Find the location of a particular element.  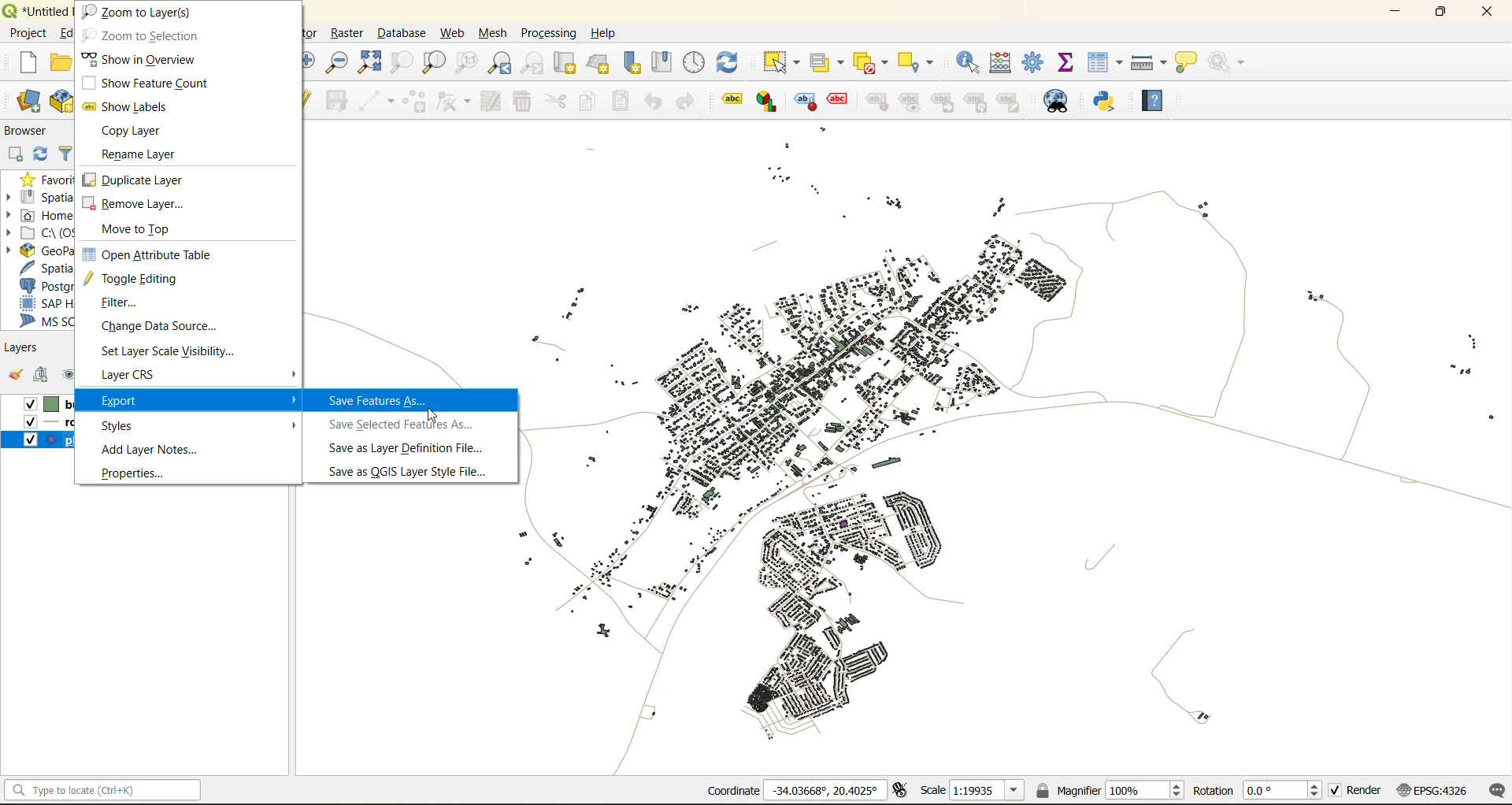

no action is located at coordinates (1233, 63).